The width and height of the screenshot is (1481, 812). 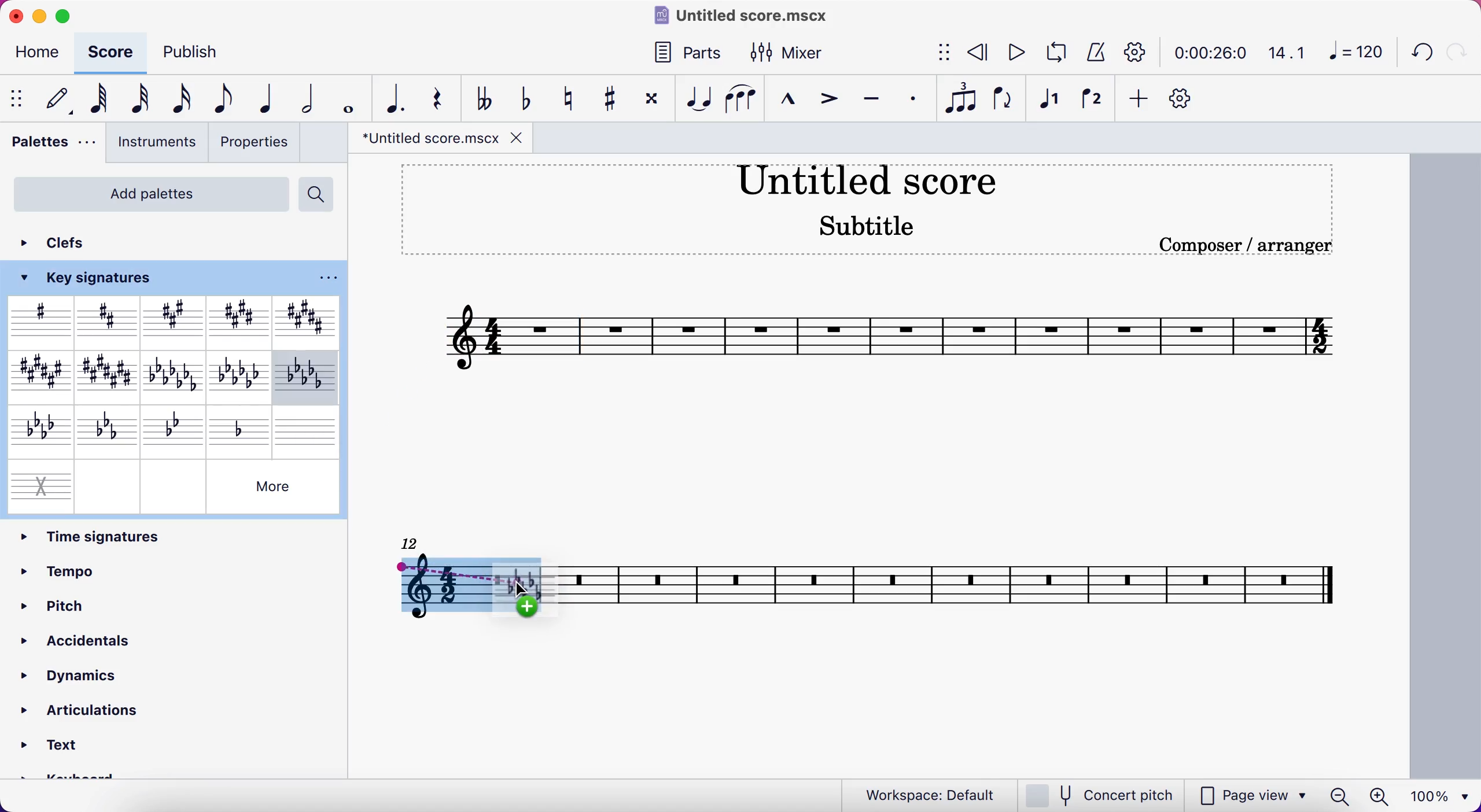 What do you see at coordinates (1099, 794) in the screenshot?
I see `concert pitch` at bounding box center [1099, 794].